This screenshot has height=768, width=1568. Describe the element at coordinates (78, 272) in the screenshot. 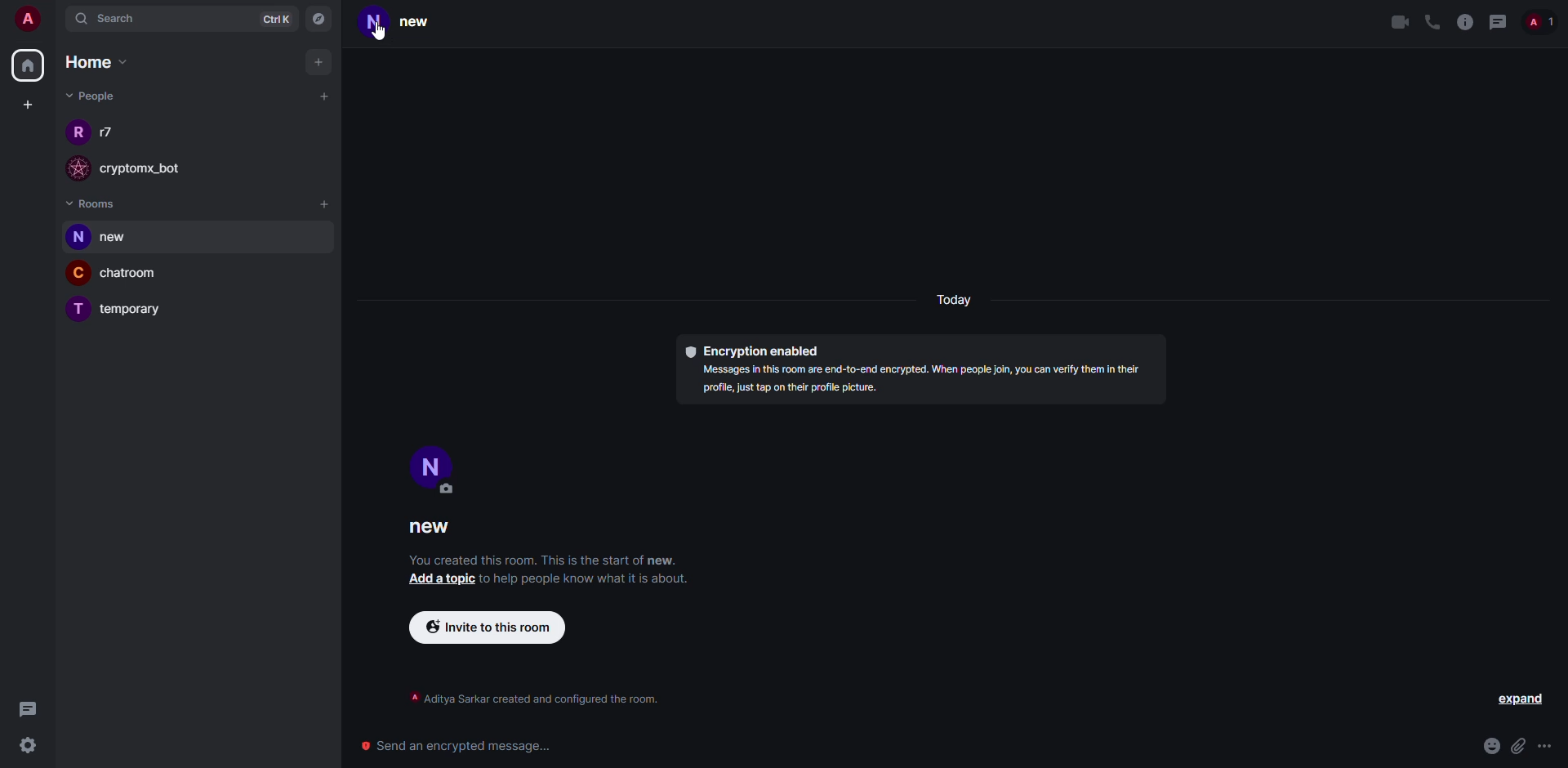

I see `profile image` at that location.